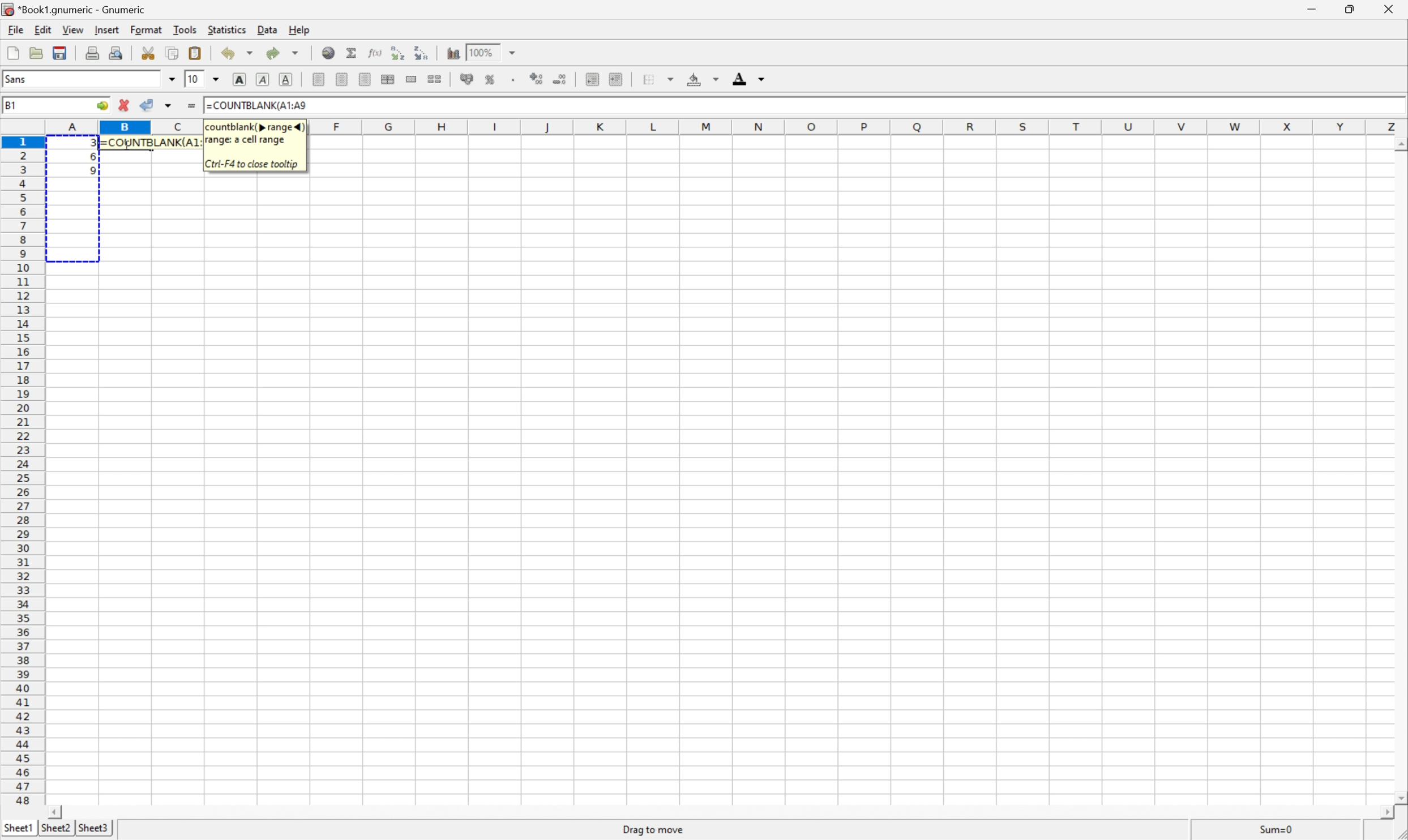 This screenshot has width=1408, height=840. I want to click on Print preview, so click(117, 51).